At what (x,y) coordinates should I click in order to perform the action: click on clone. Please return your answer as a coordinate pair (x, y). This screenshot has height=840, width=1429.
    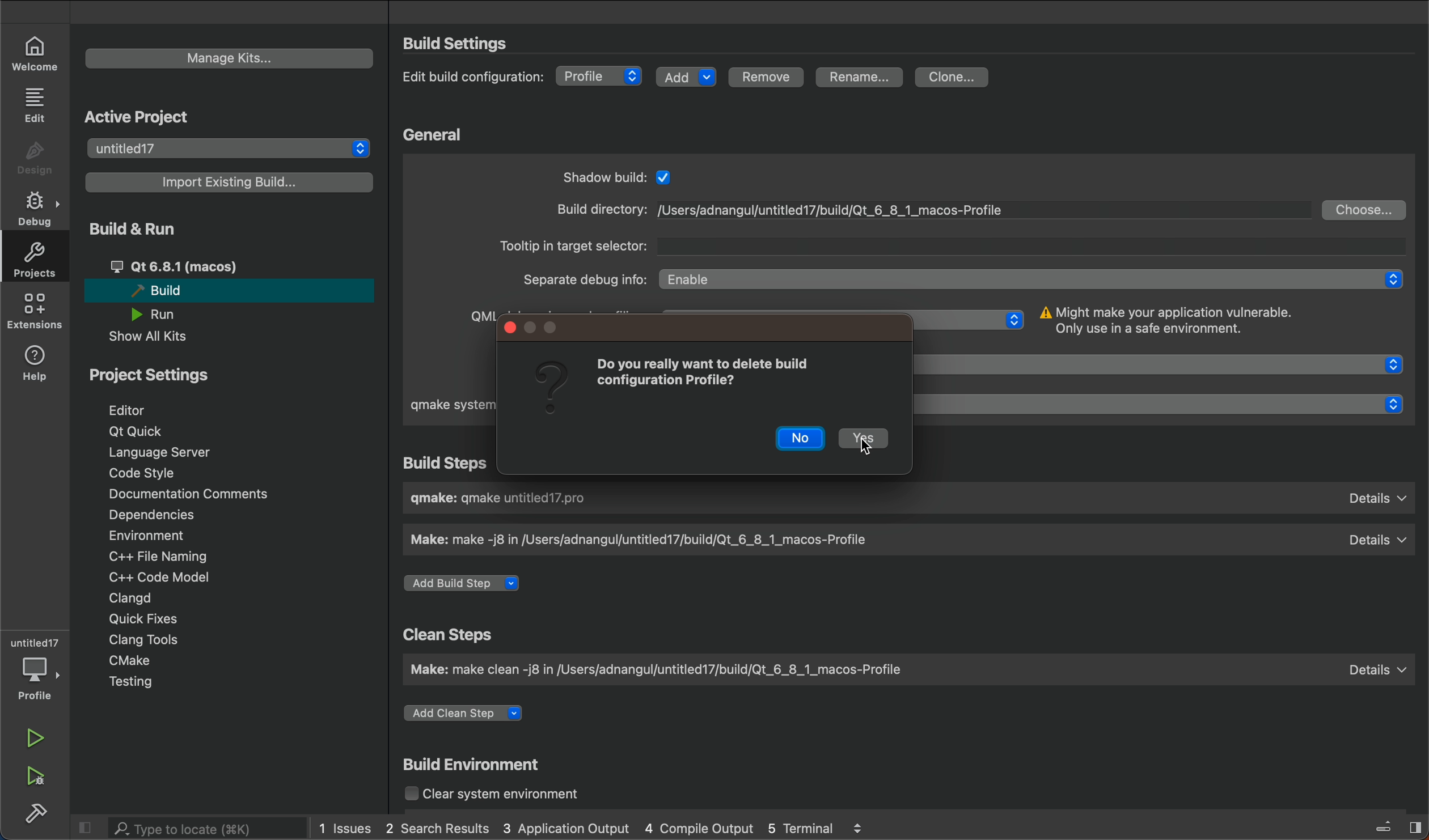
    Looking at the image, I should click on (954, 77).